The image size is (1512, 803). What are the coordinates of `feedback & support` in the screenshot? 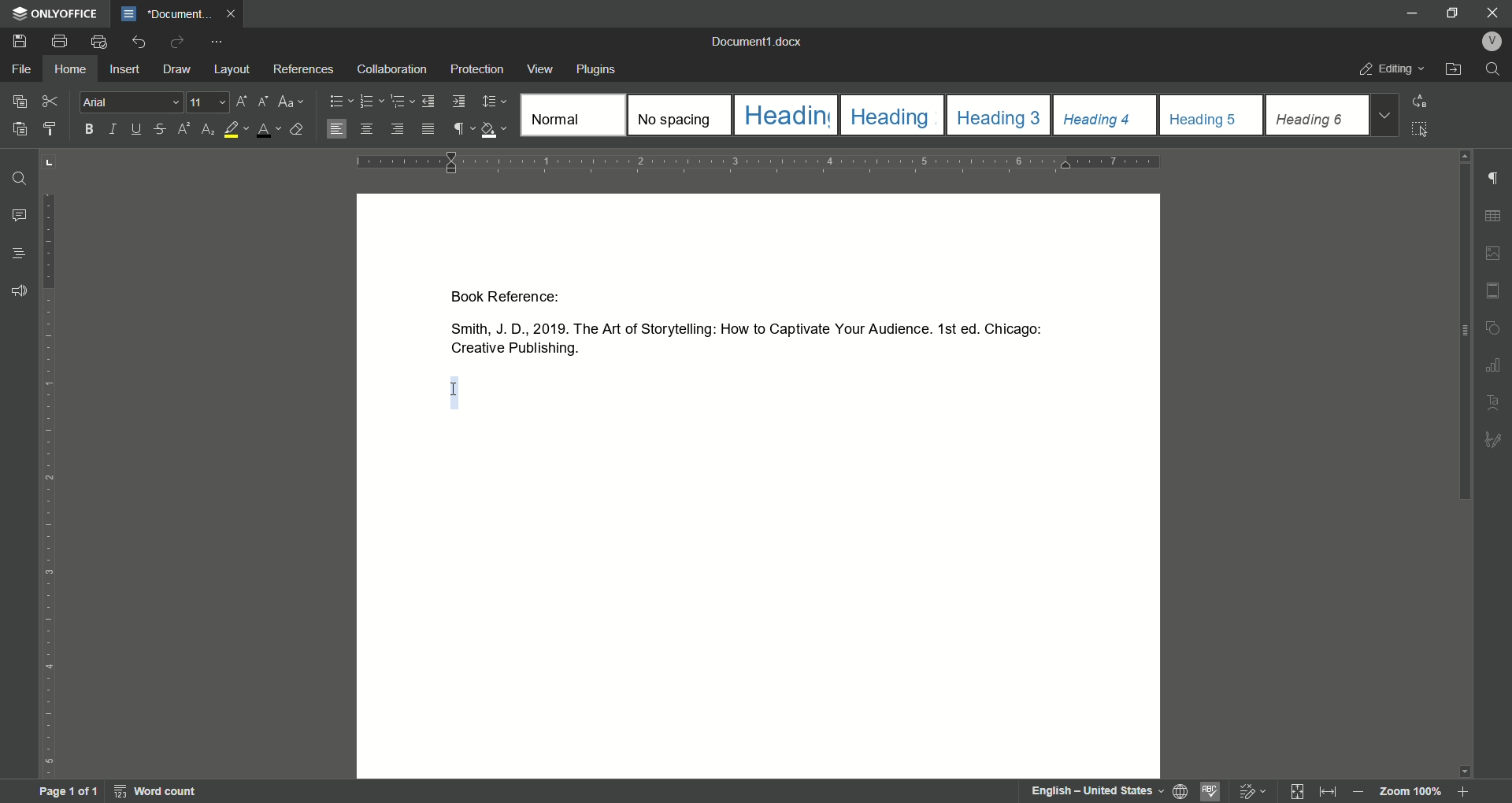 It's located at (20, 290).